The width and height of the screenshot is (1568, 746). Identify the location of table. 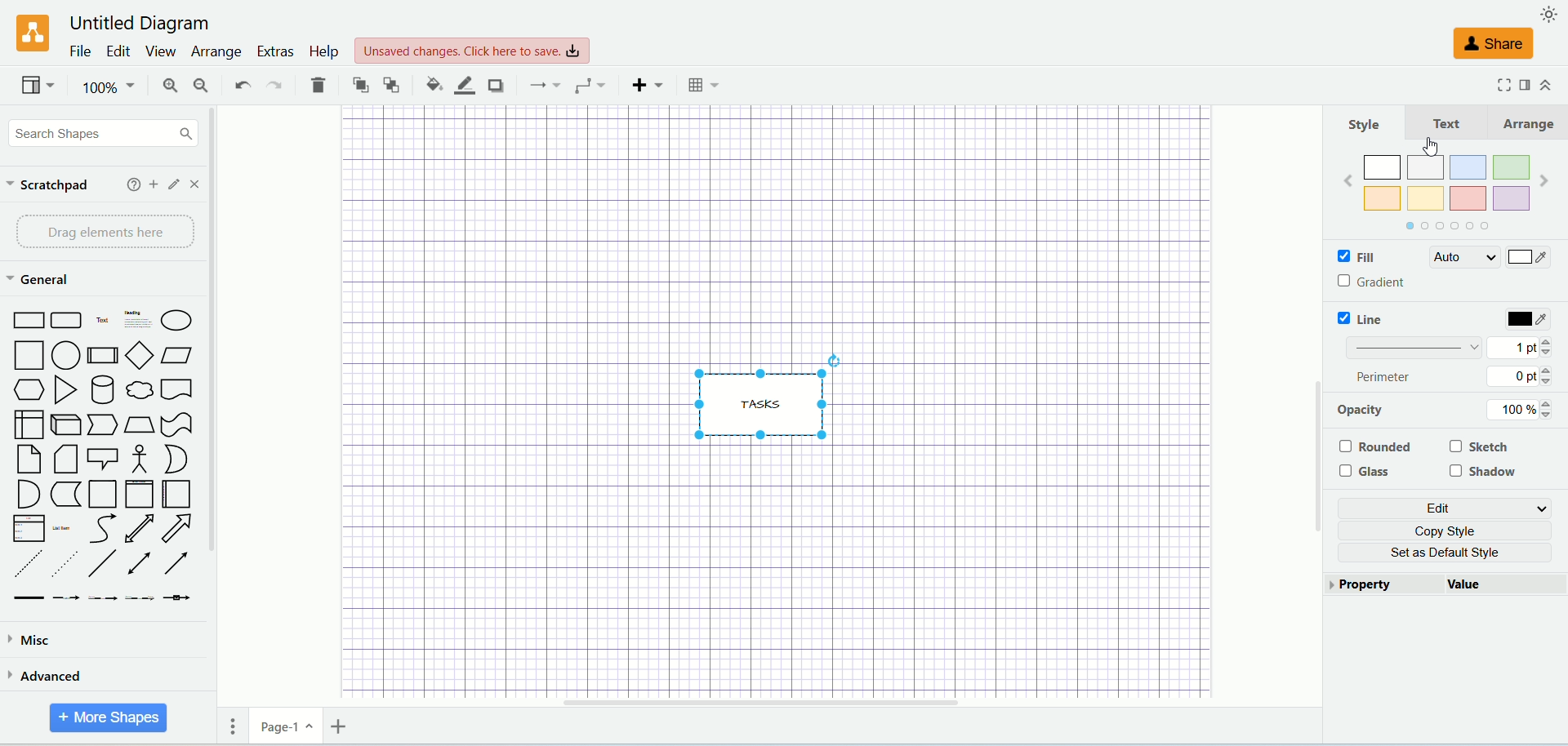
(706, 85).